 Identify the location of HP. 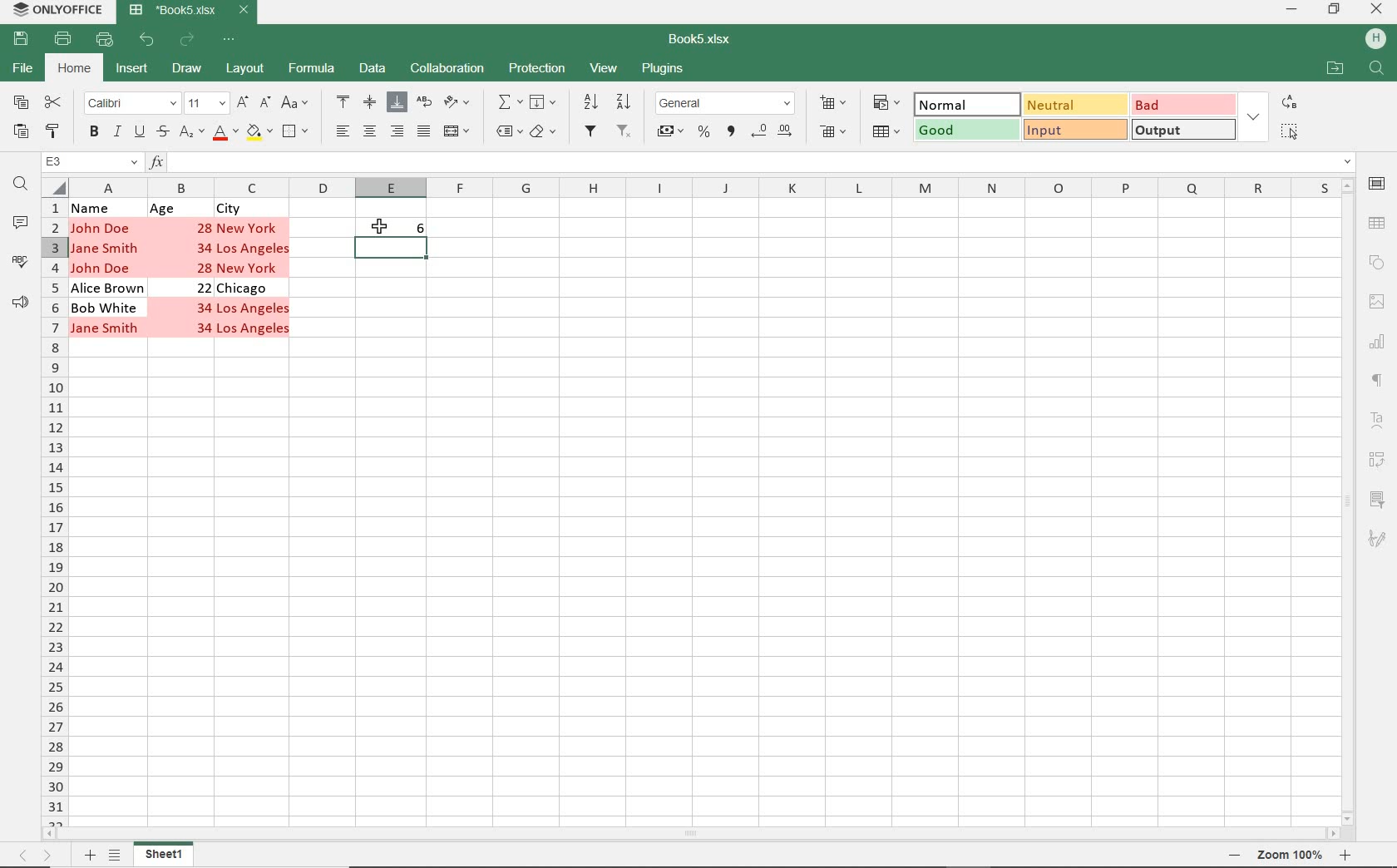
(1375, 38).